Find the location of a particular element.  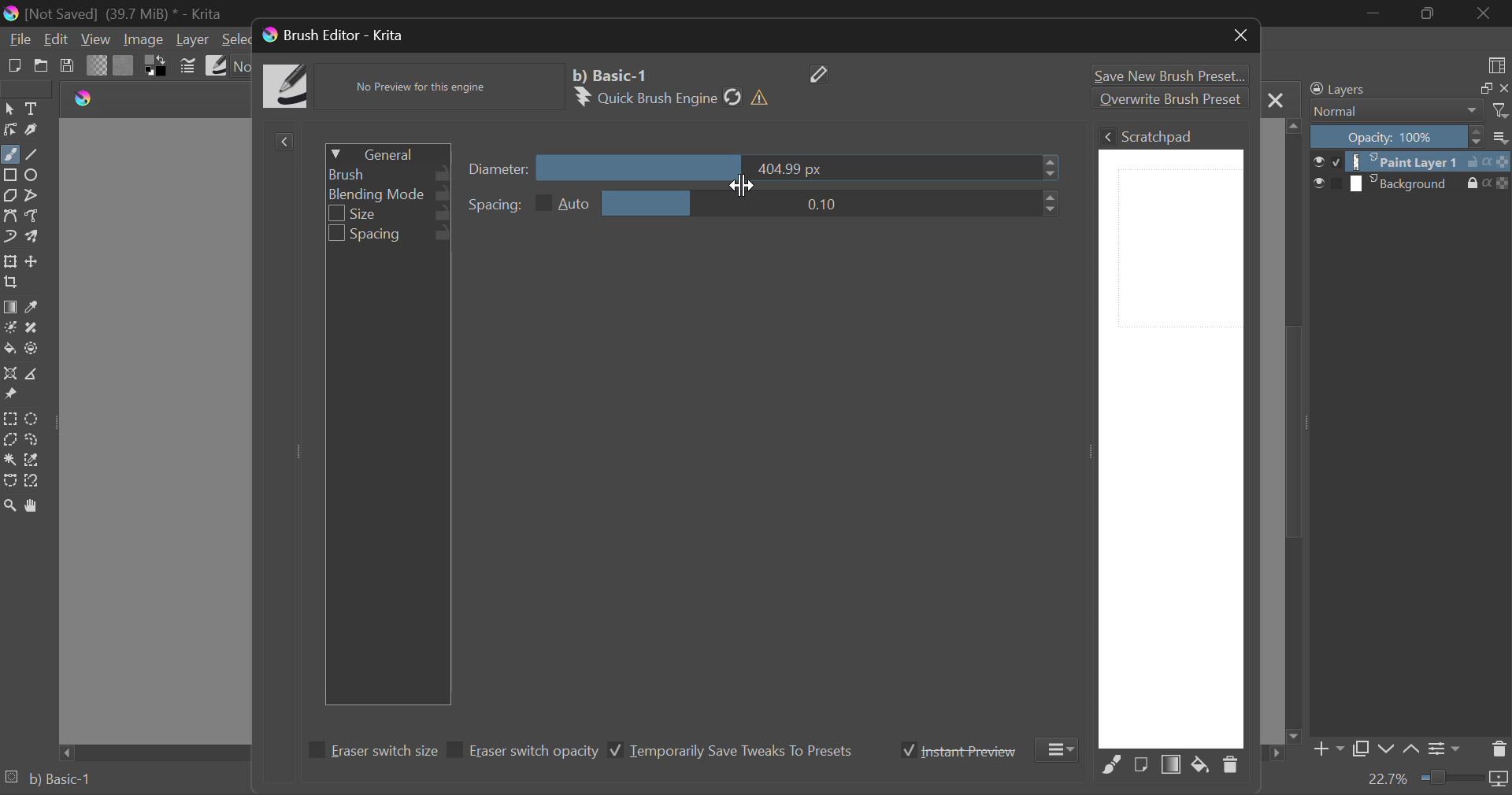

Calligraphic Line is located at coordinates (30, 129).